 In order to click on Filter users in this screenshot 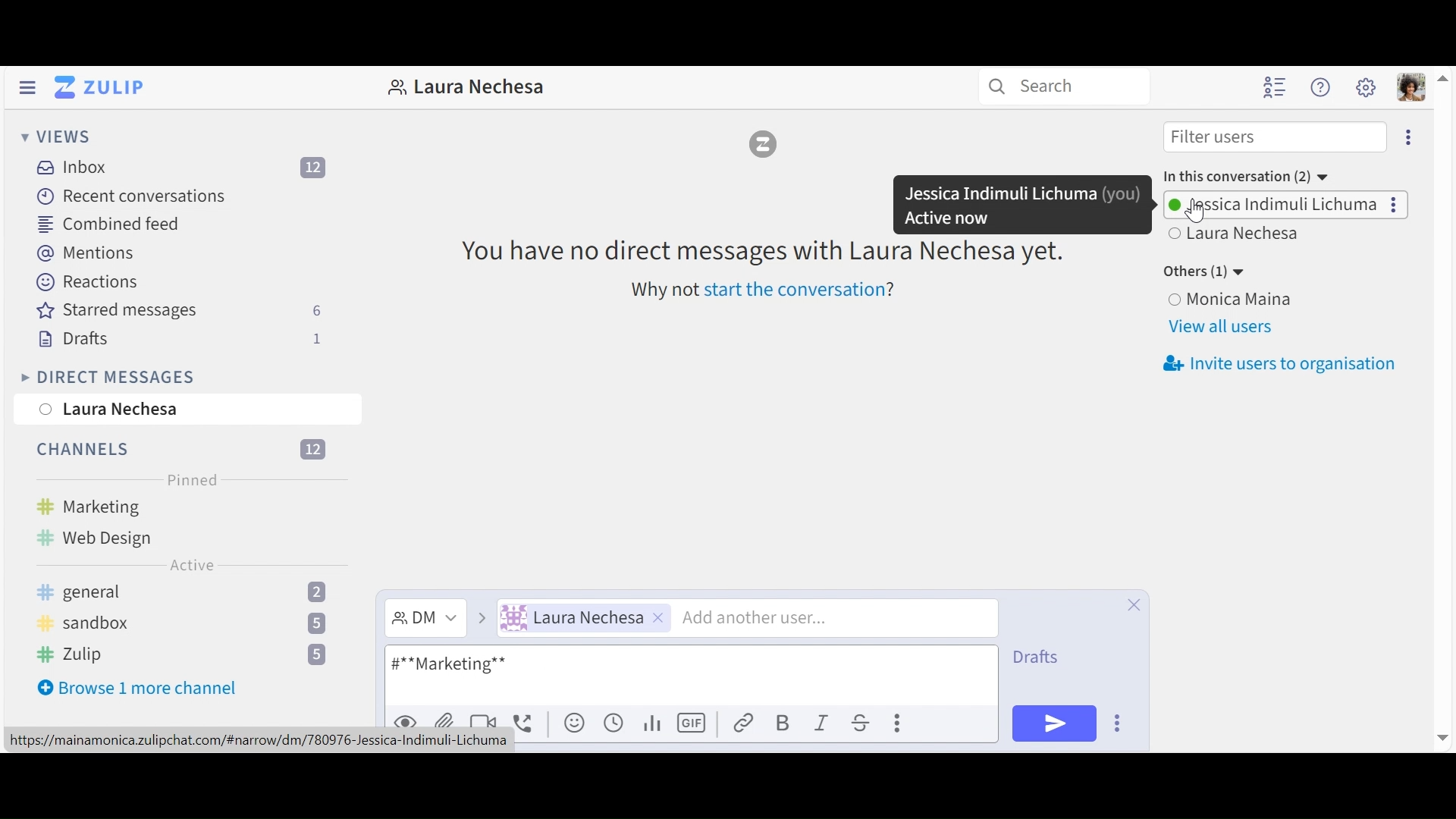, I will do `click(1274, 137)`.